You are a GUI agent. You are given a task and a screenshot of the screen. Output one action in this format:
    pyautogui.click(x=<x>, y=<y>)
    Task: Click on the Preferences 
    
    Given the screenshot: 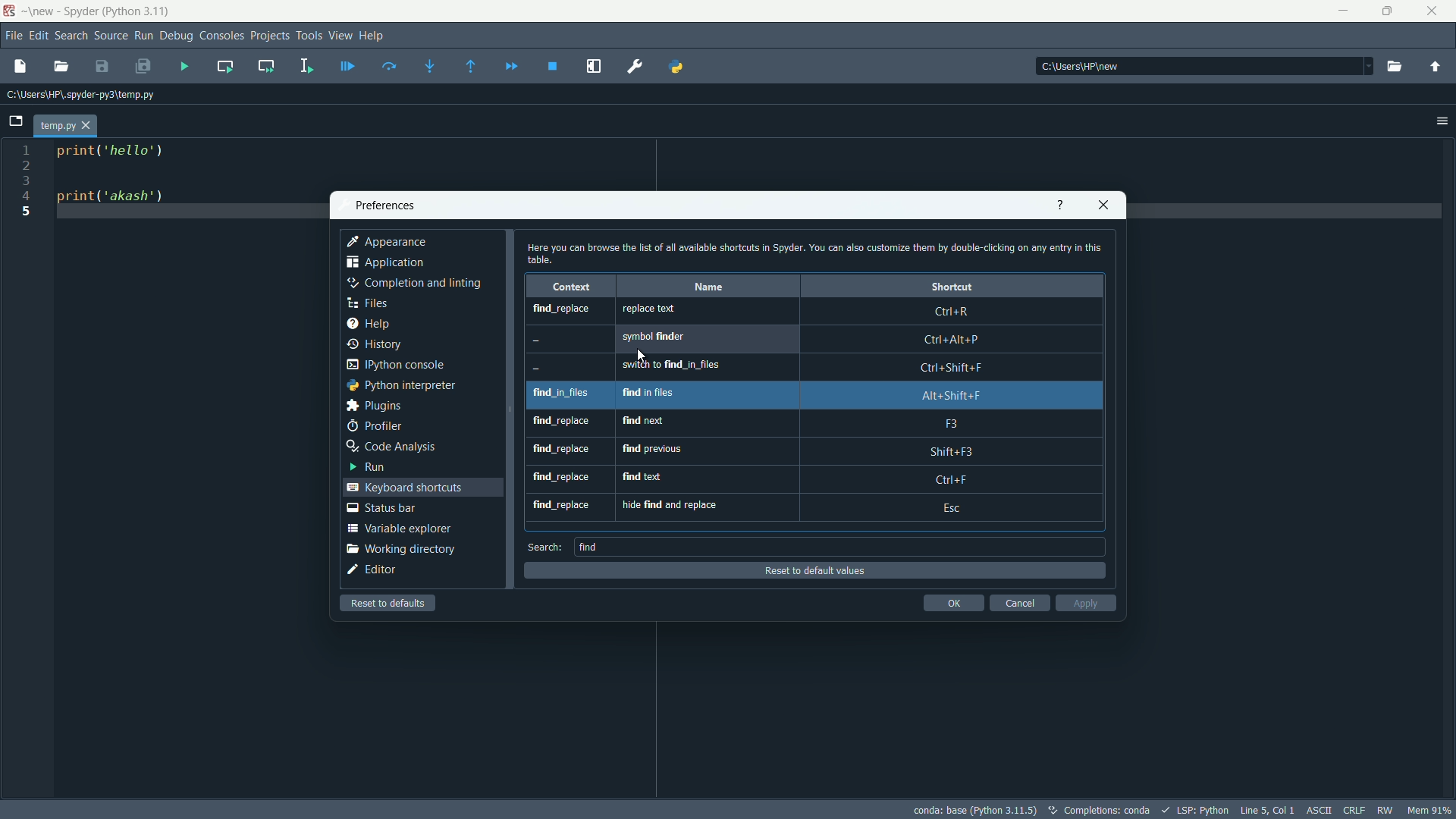 What is the action you would take?
    pyautogui.click(x=635, y=67)
    